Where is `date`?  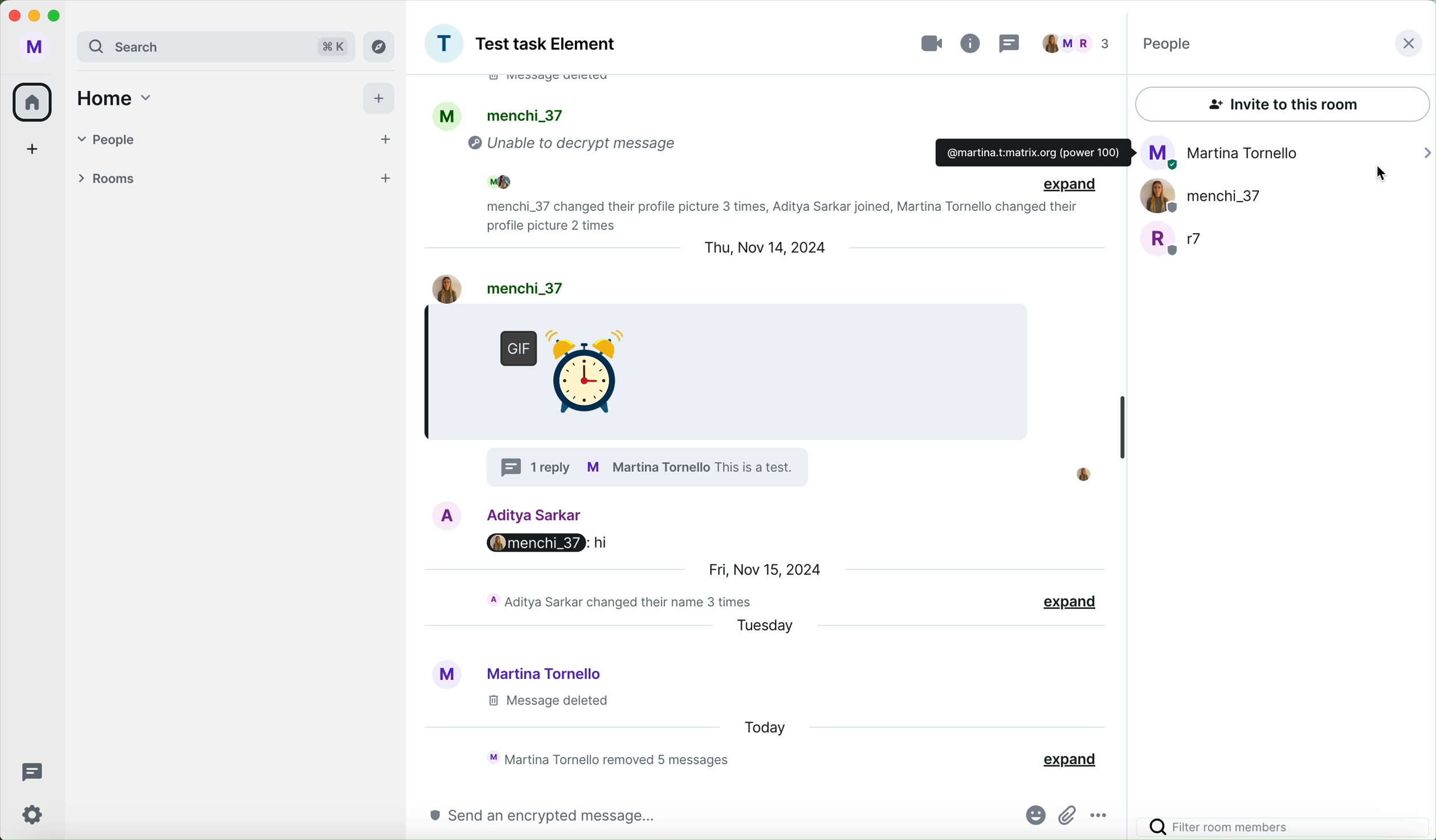 date is located at coordinates (763, 250).